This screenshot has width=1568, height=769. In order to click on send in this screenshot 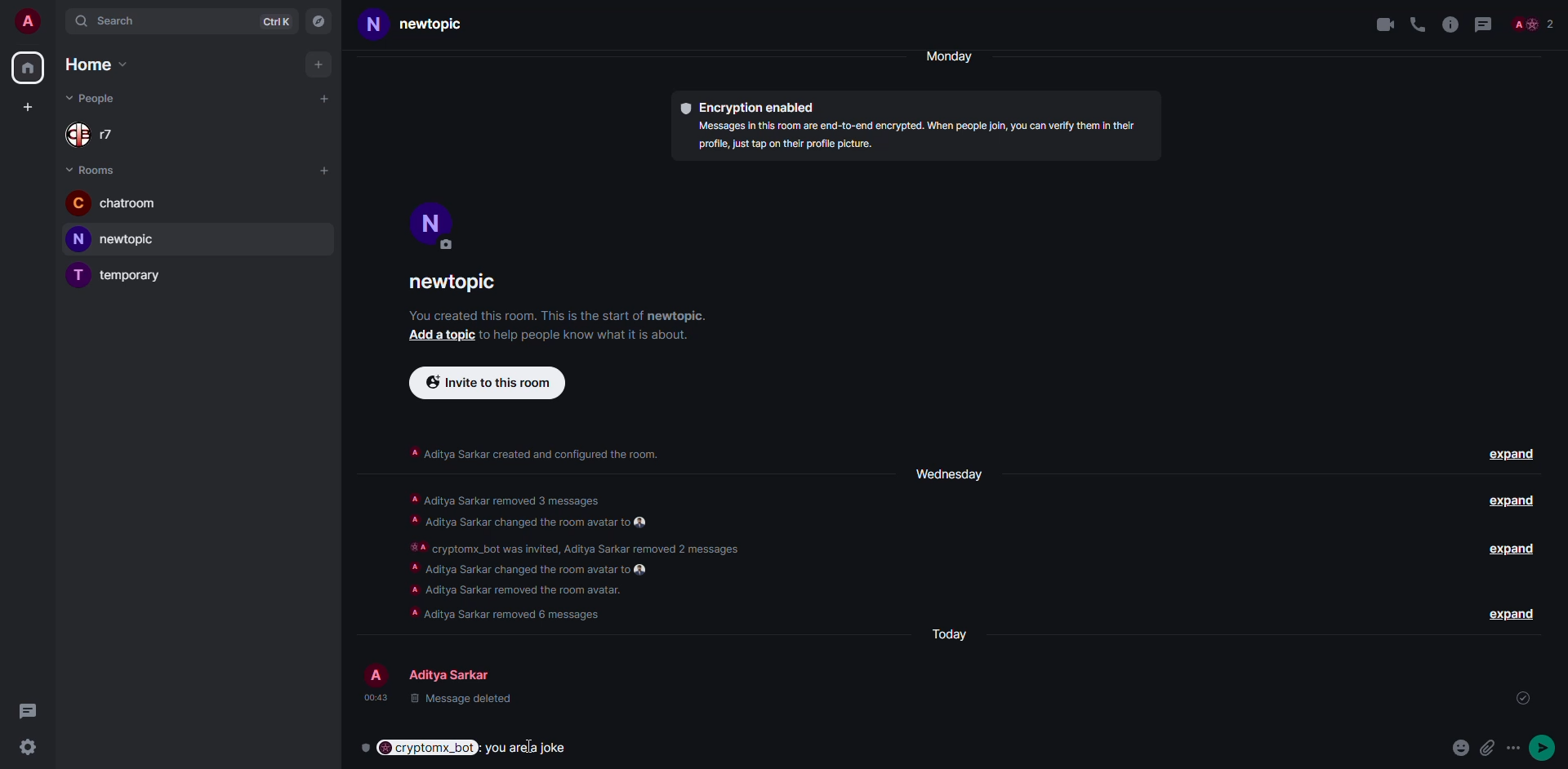, I will do `click(1547, 746)`.